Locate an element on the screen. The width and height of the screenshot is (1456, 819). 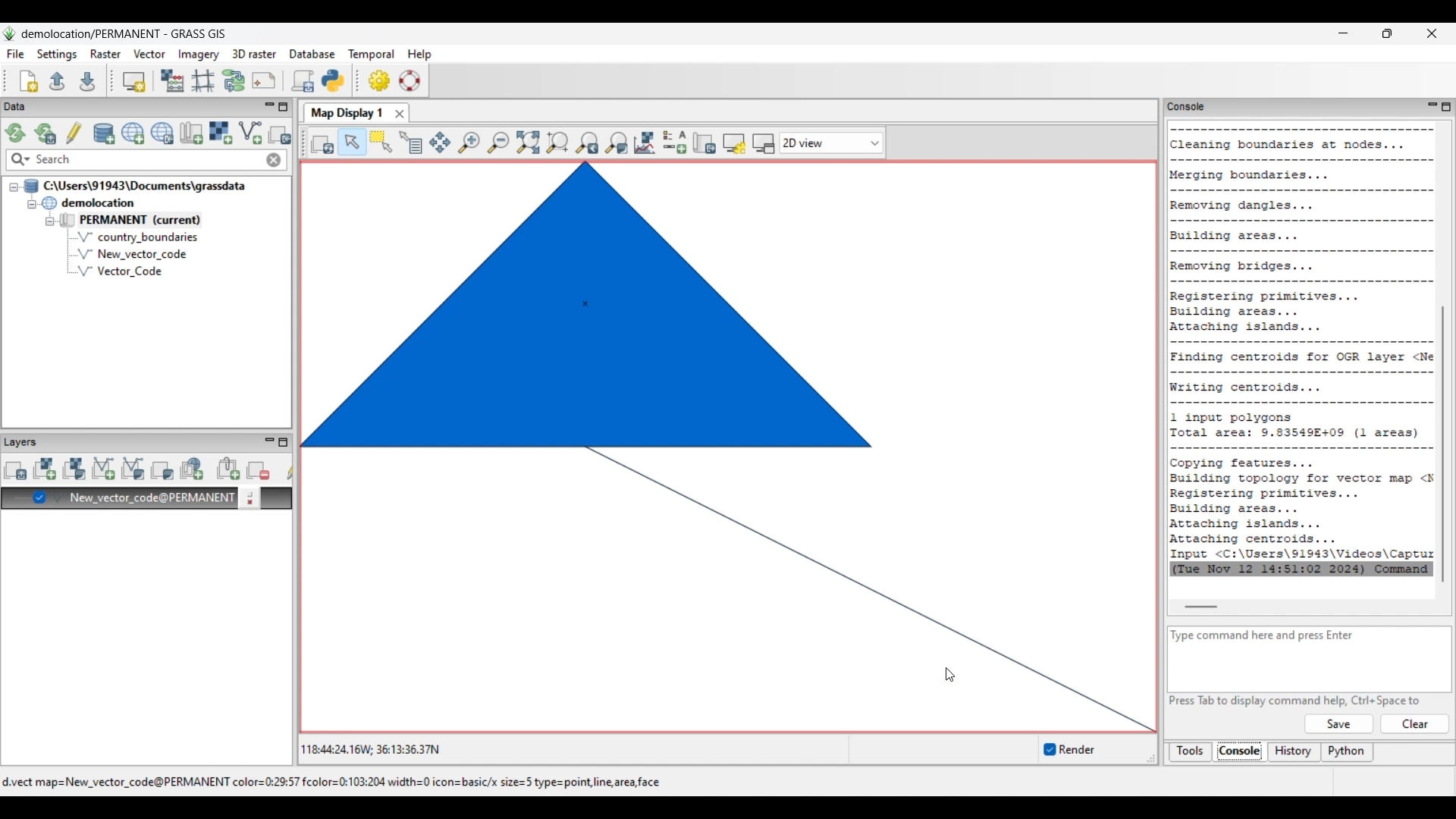
Create new project (location) to current GRASS database is located at coordinates (133, 133).